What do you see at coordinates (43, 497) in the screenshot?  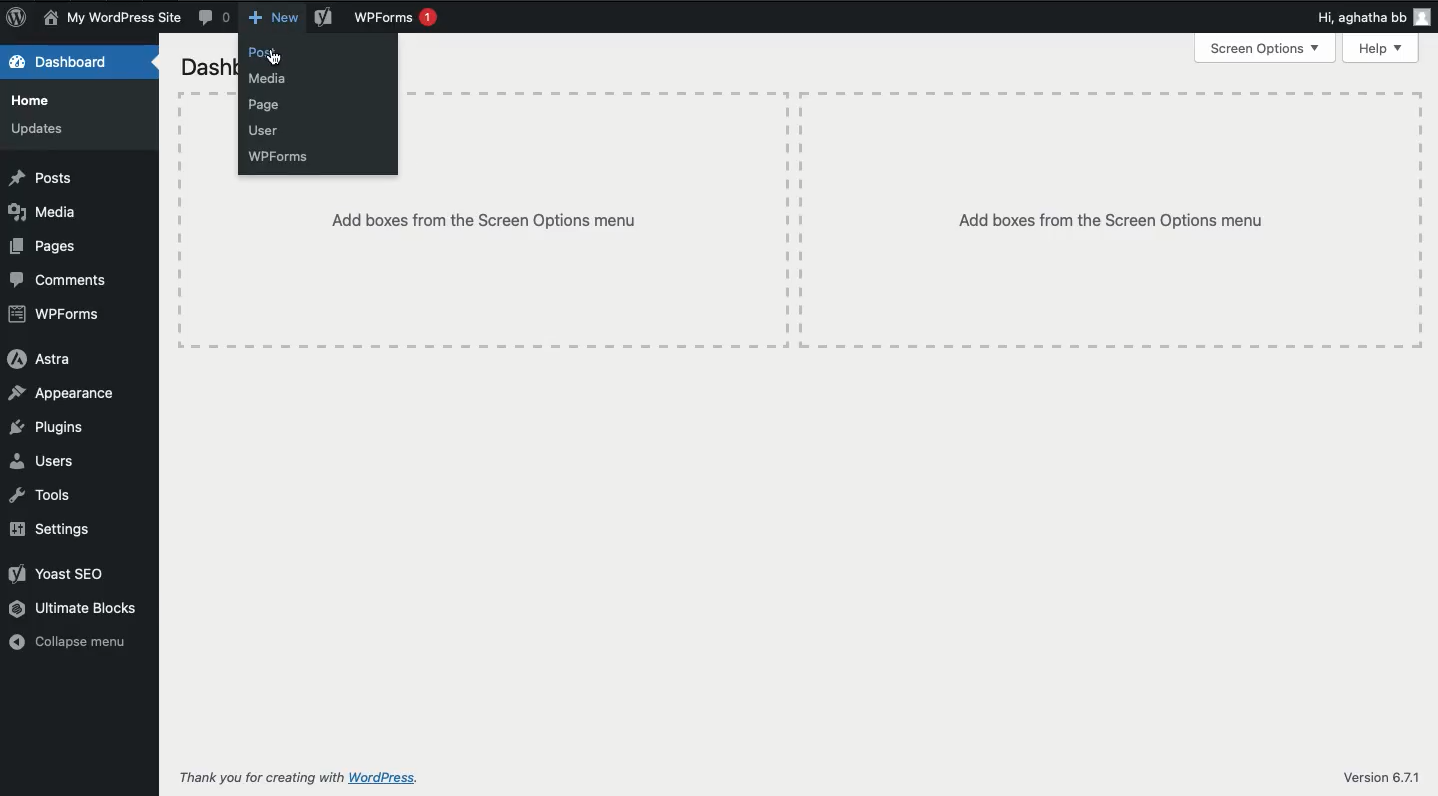 I see `Tools` at bounding box center [43, 497].